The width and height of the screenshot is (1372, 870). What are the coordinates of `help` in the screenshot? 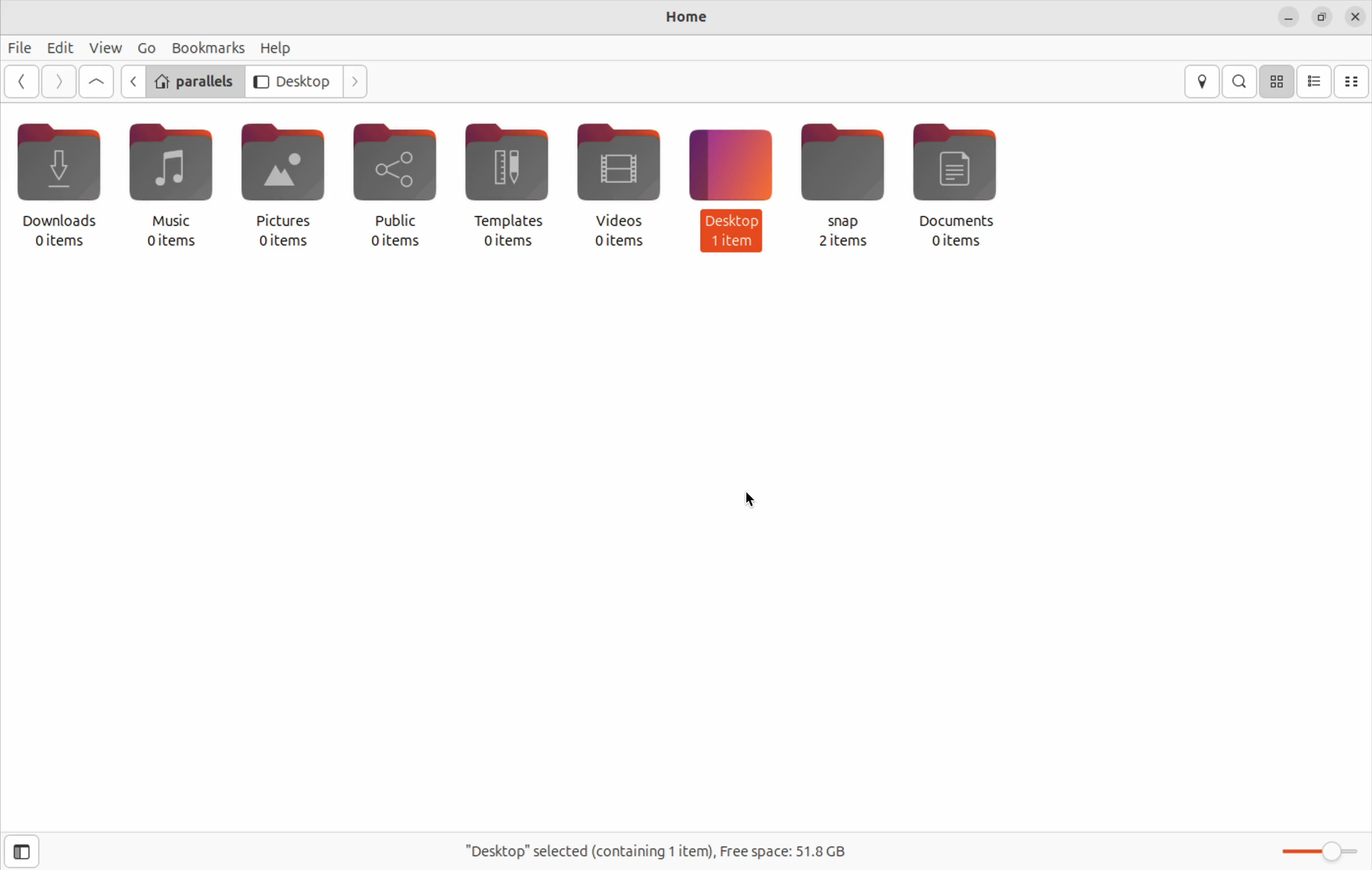 It's located at (280, 48).